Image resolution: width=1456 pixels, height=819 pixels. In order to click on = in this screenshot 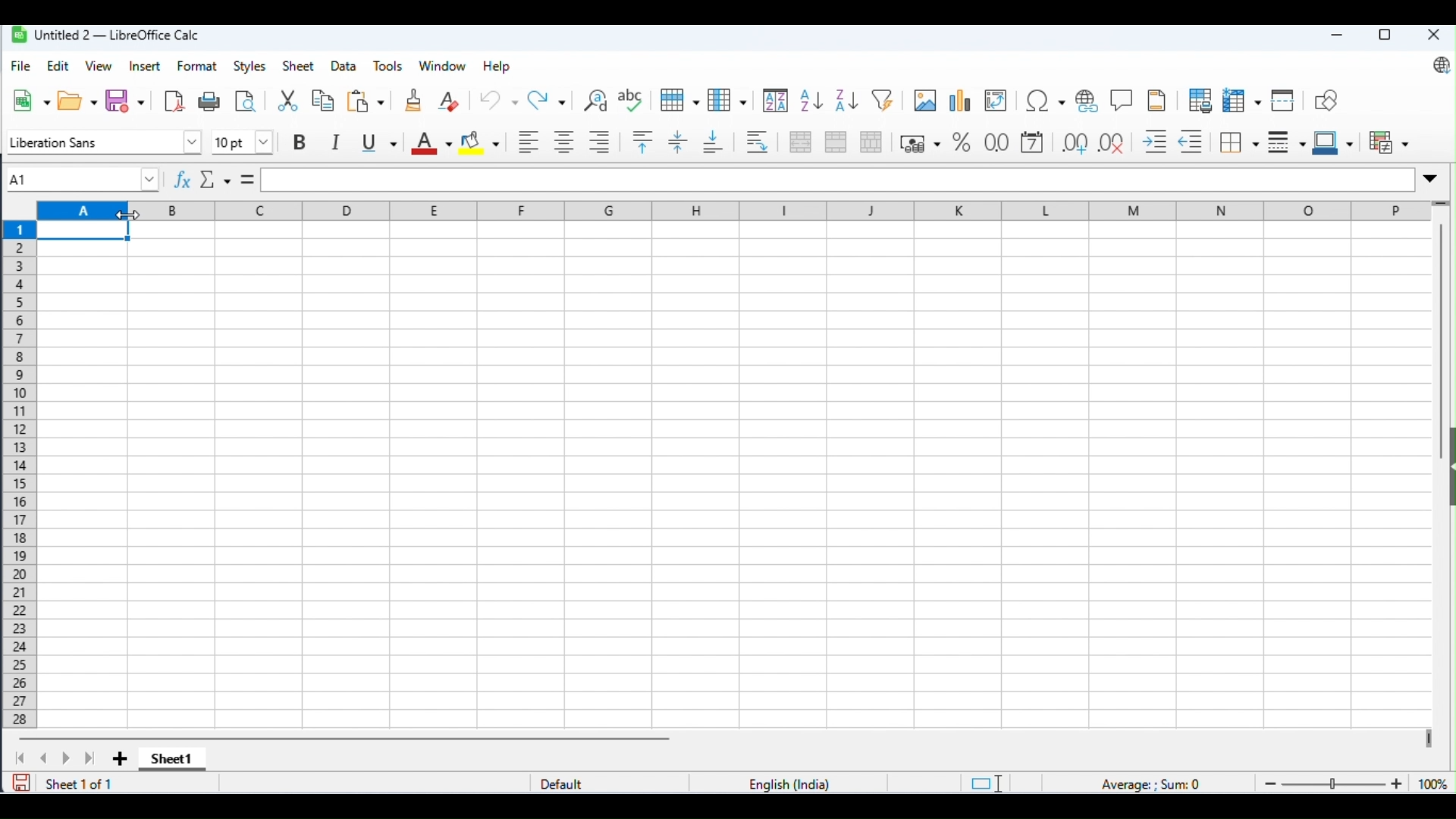, I will do `click(246, 177)`.